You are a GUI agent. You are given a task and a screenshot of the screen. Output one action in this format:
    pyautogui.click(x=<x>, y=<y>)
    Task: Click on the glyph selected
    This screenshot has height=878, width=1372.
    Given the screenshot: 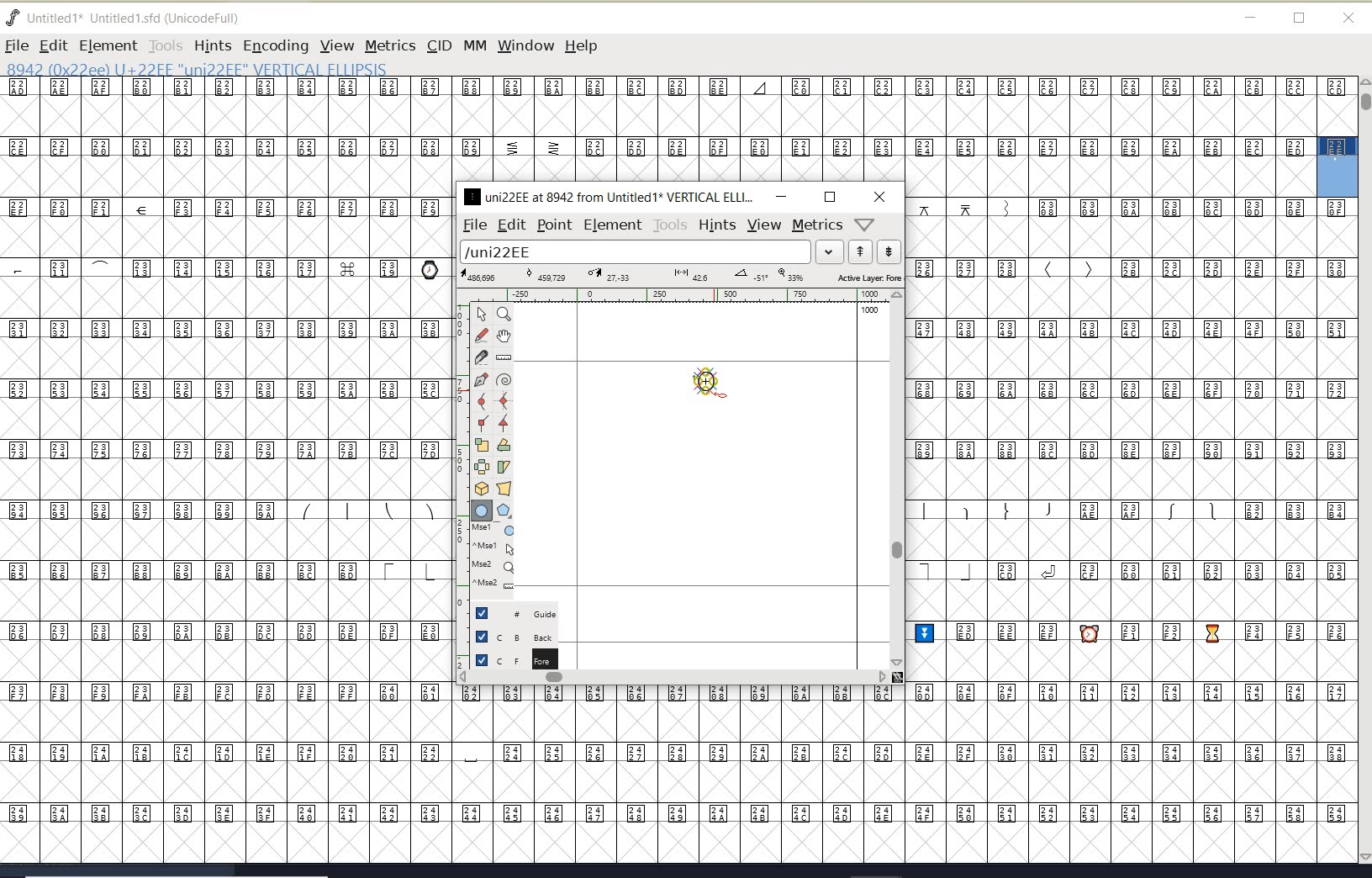 What is the action you would take?
    pyautogui.click(x=1338, y=167)
    